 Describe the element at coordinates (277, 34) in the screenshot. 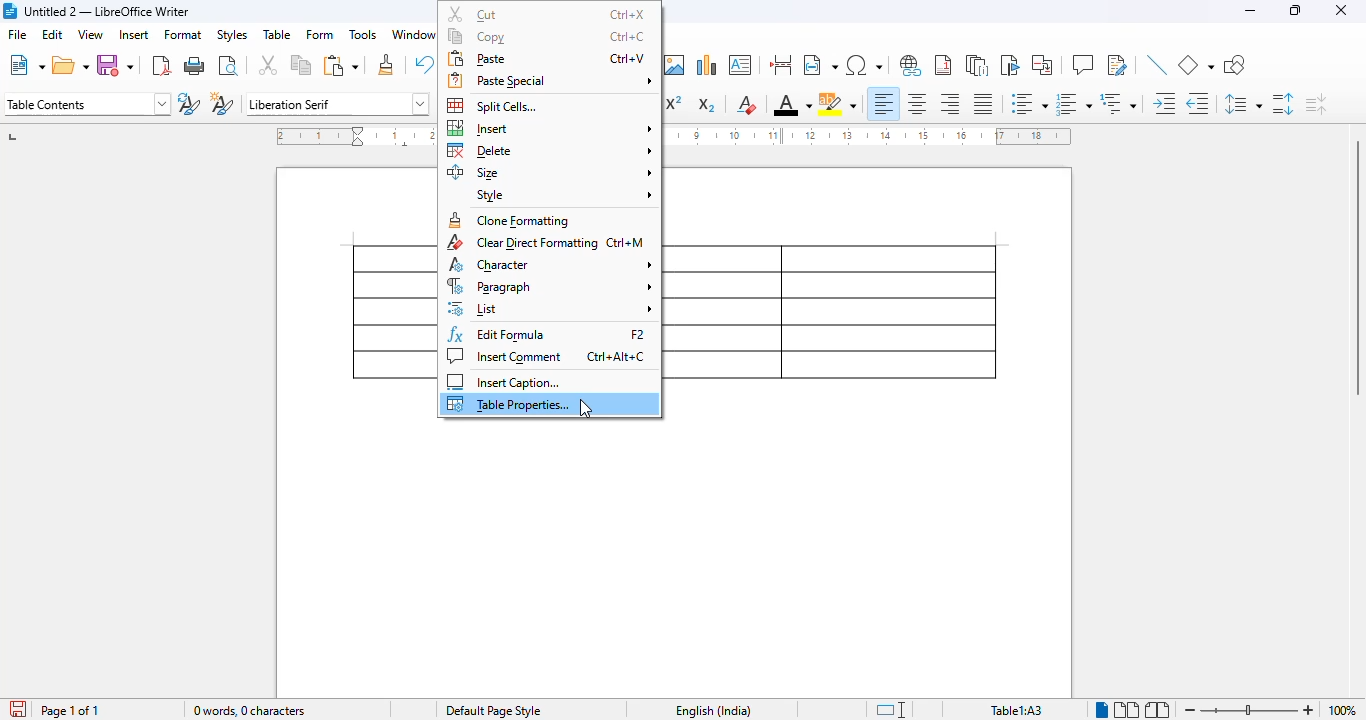

I see `table` at that location.